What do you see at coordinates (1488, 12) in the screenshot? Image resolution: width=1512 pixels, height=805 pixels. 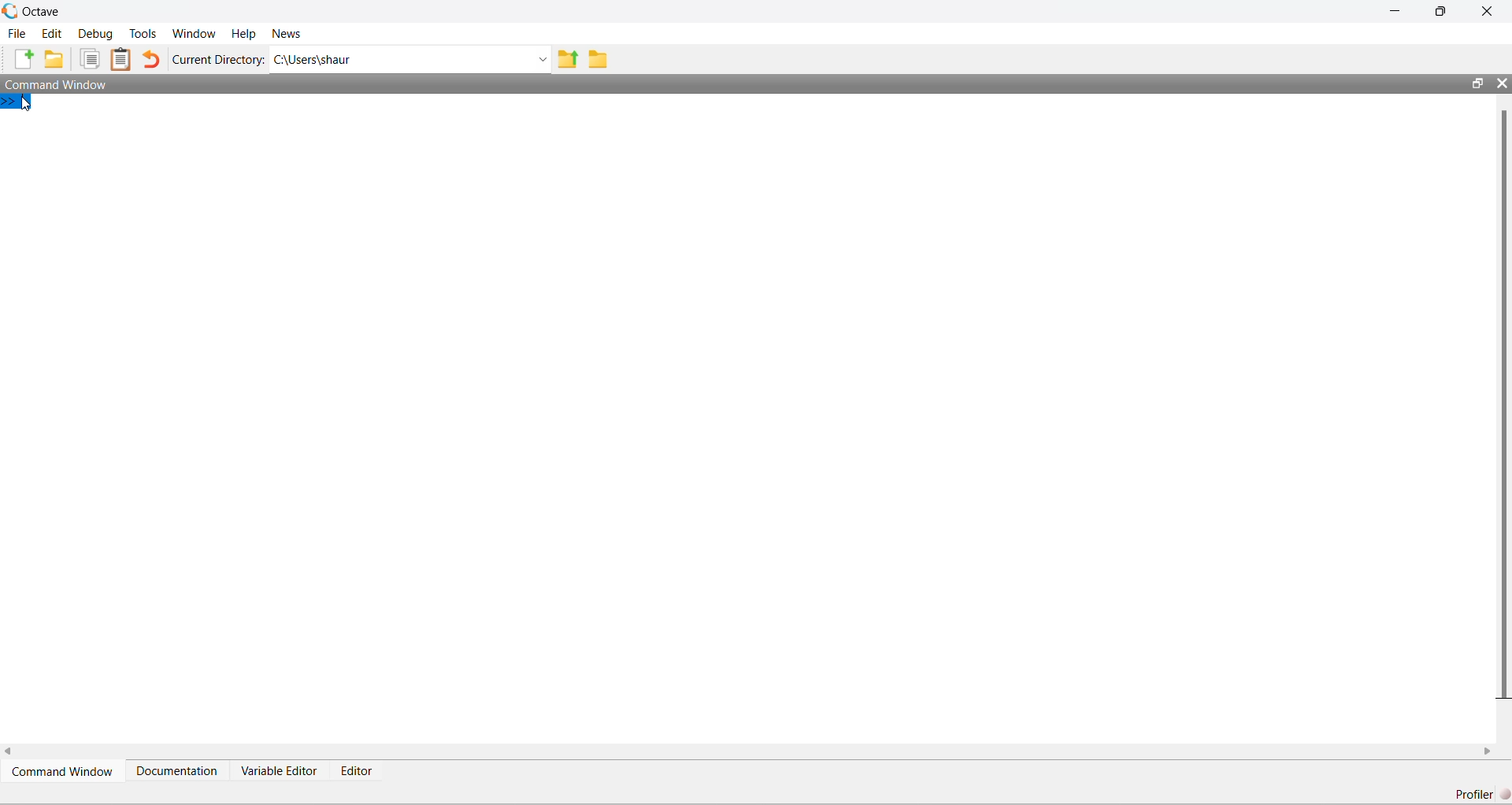 I see `Close` at bounding box center [1488, 12].